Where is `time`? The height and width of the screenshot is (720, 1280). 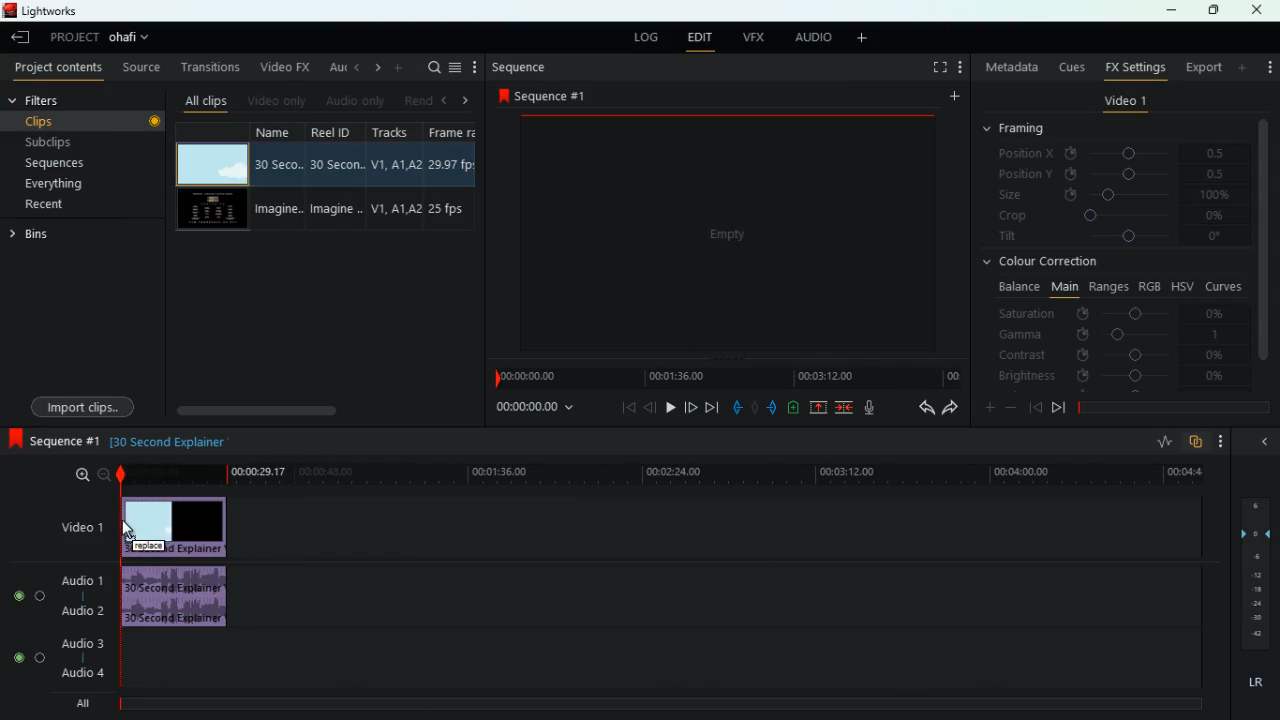 time is located at coordinates (533, 409).